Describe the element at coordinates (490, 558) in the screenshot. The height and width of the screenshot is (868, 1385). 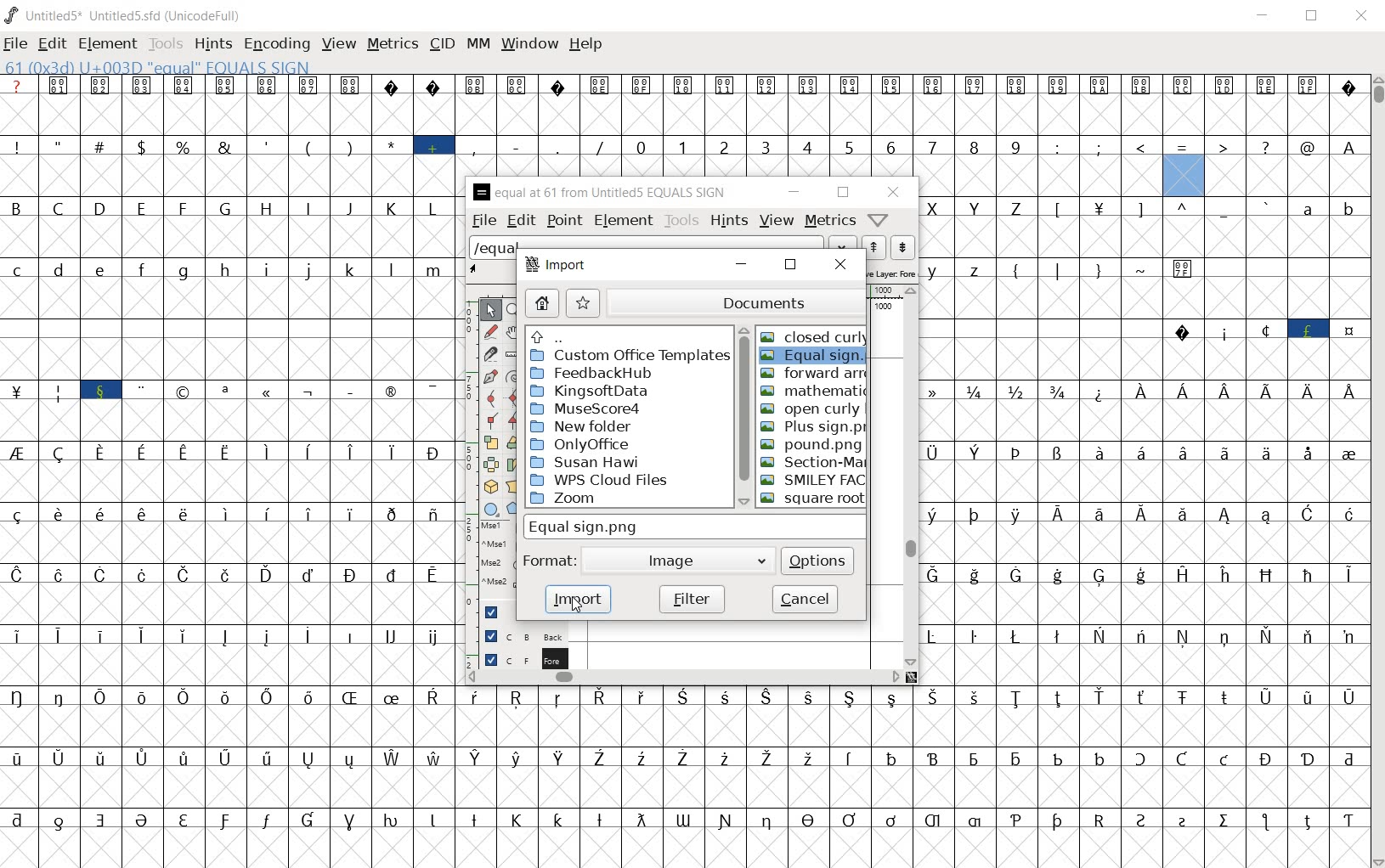
I see `mse1 mse1 mse2 mse2` at that location.